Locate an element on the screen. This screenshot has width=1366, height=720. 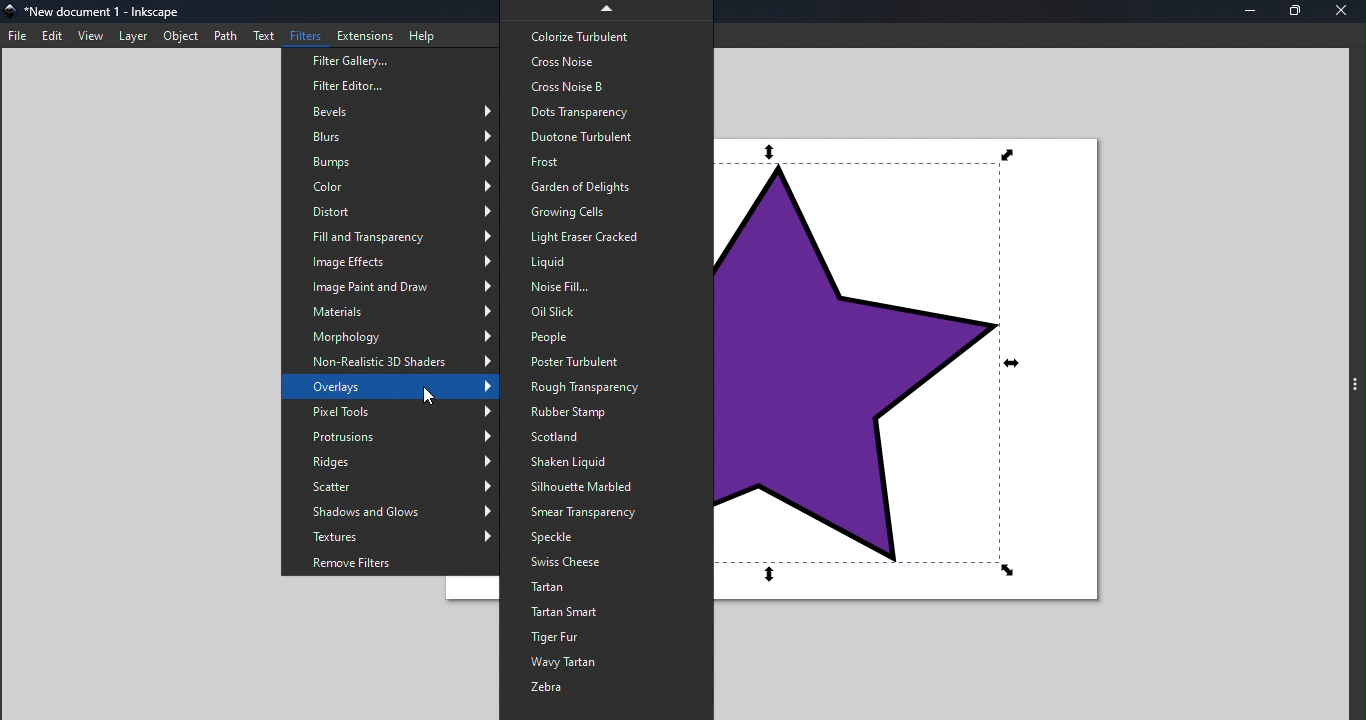
Close is located at coordinates (1343, 14).